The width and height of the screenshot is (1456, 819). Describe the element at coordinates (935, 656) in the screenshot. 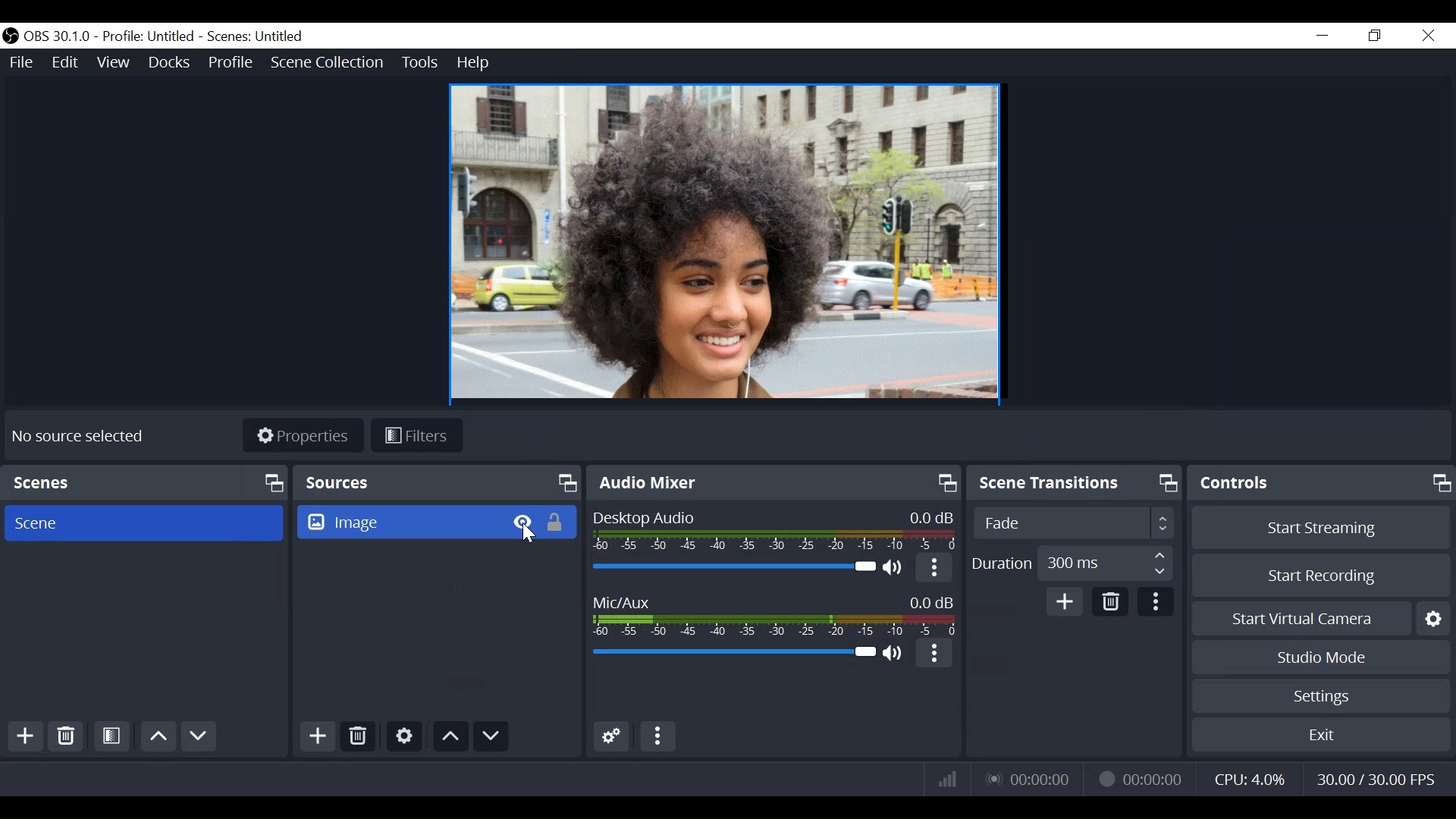

I see `more options` at that location.